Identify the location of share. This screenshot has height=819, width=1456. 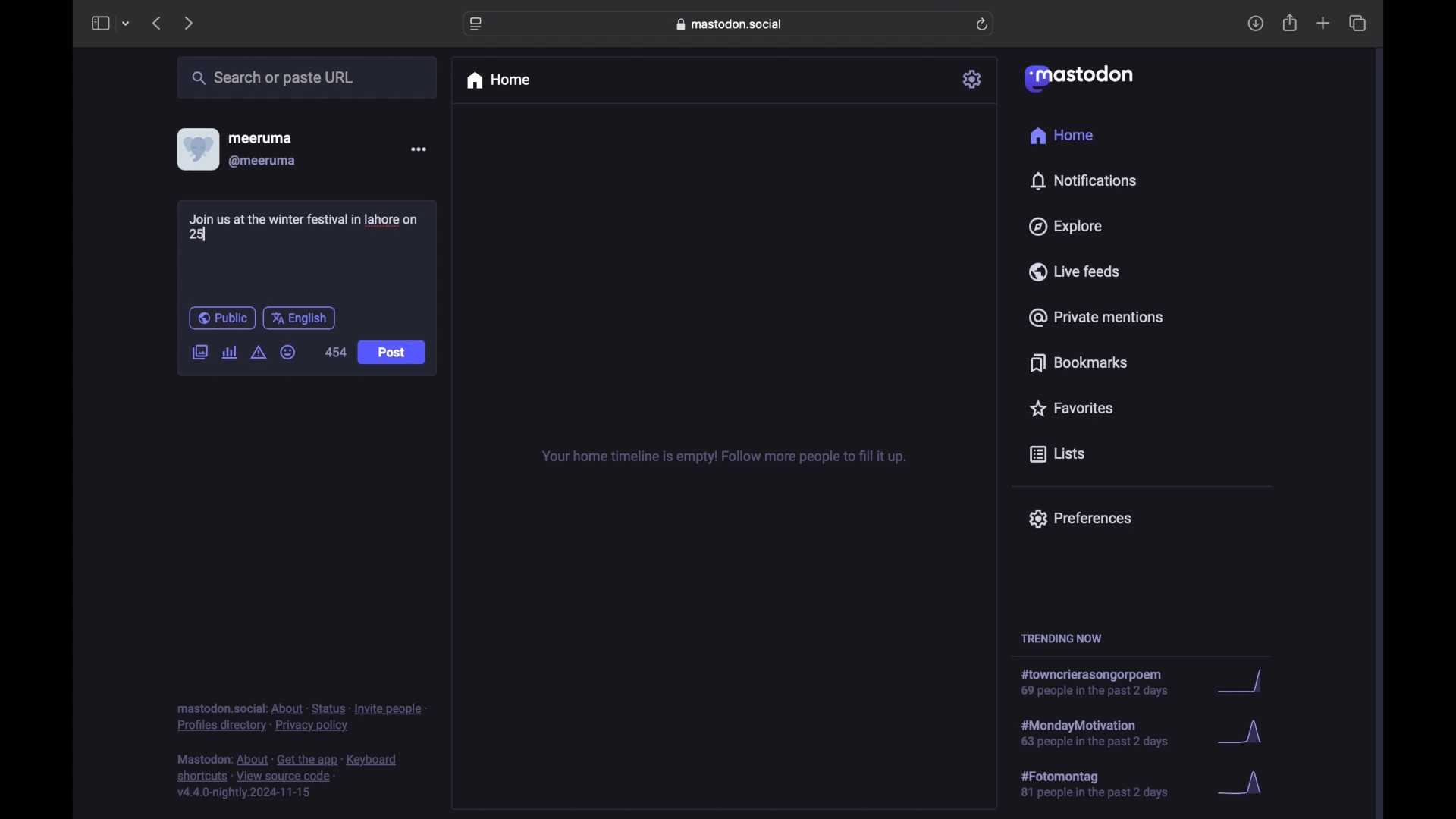
(1291, 24).